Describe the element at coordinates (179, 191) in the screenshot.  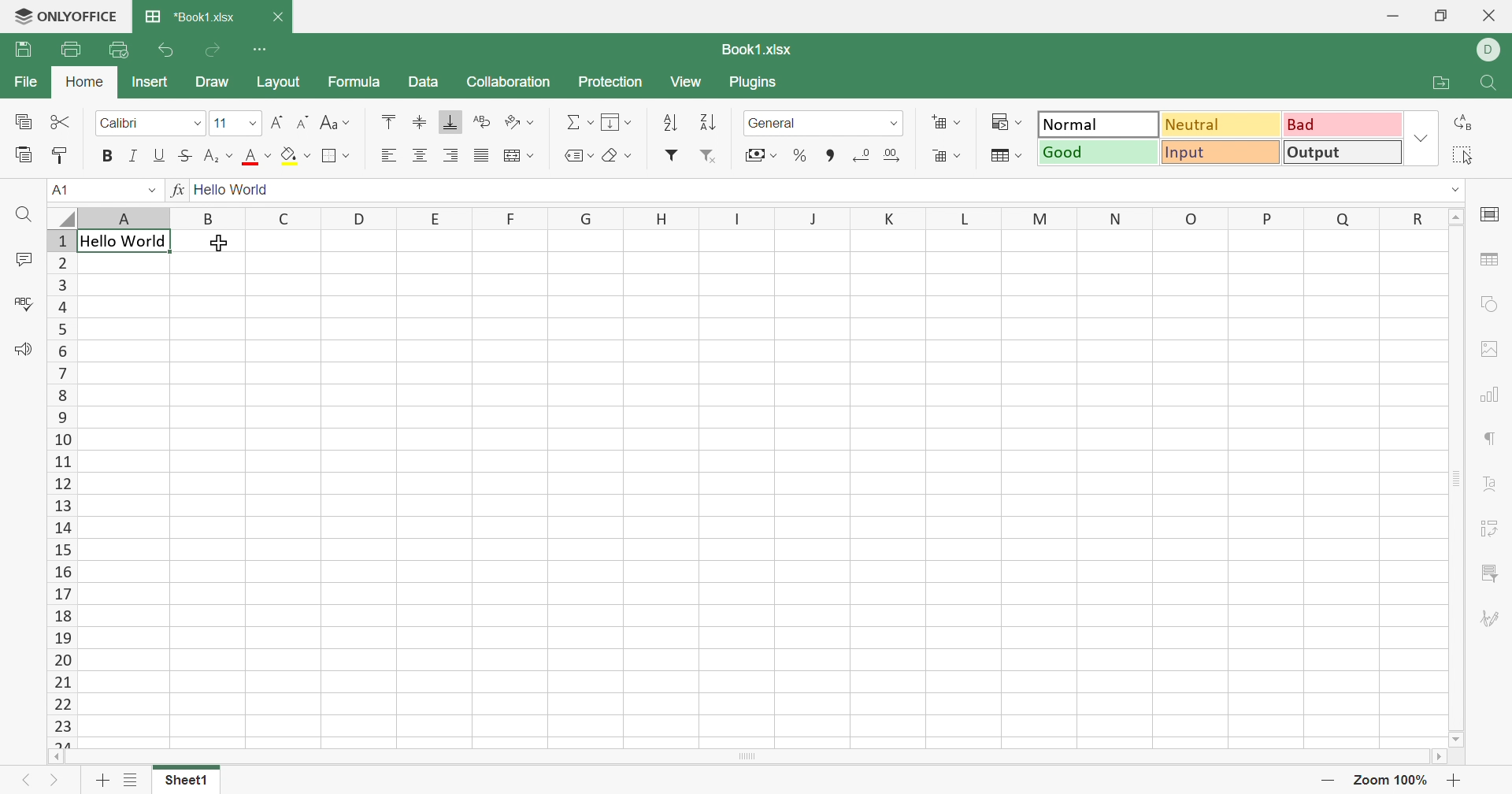
I see `fx` at that location.